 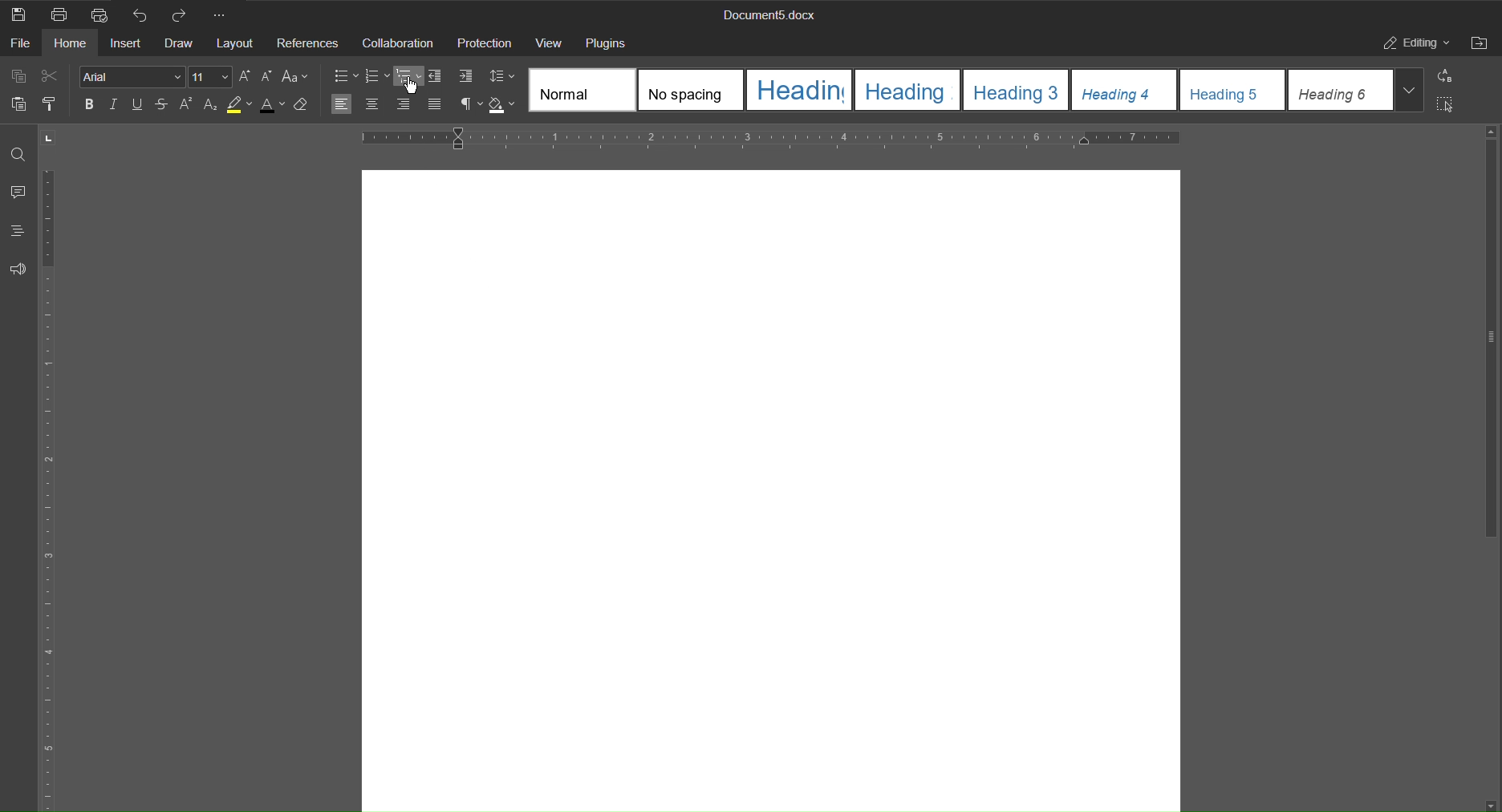 I want to click on Feedback and Support, so click(x=18, y=267).